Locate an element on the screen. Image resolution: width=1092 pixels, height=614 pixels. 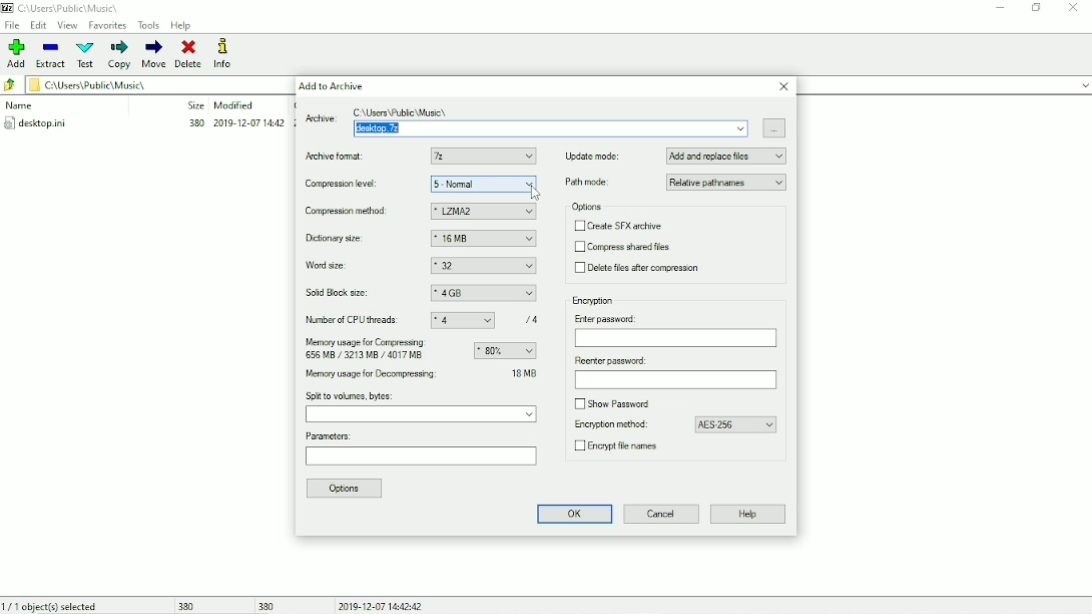
Info is located at coordinates (223, 53).